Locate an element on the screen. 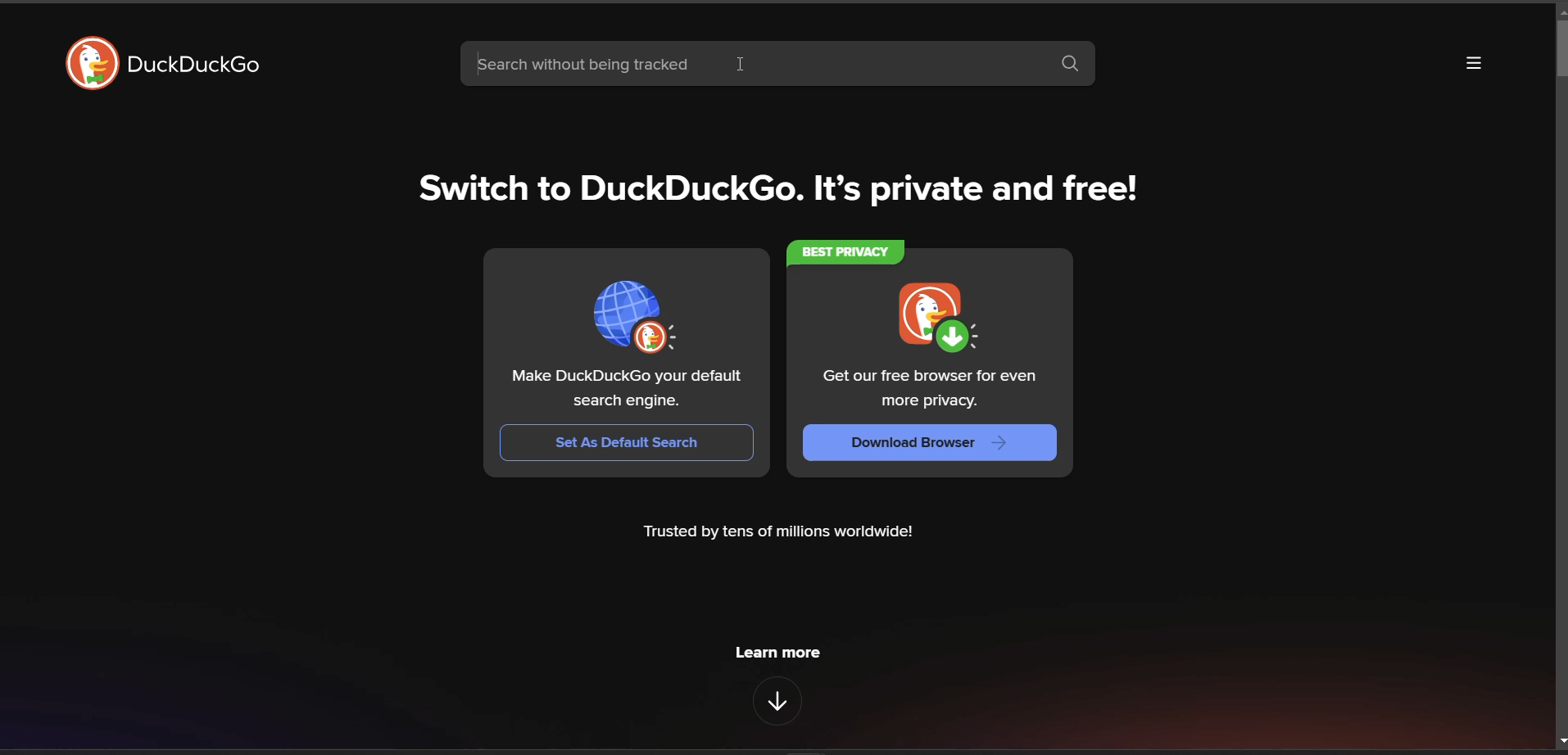  logo is located at coordinates (90, 62).